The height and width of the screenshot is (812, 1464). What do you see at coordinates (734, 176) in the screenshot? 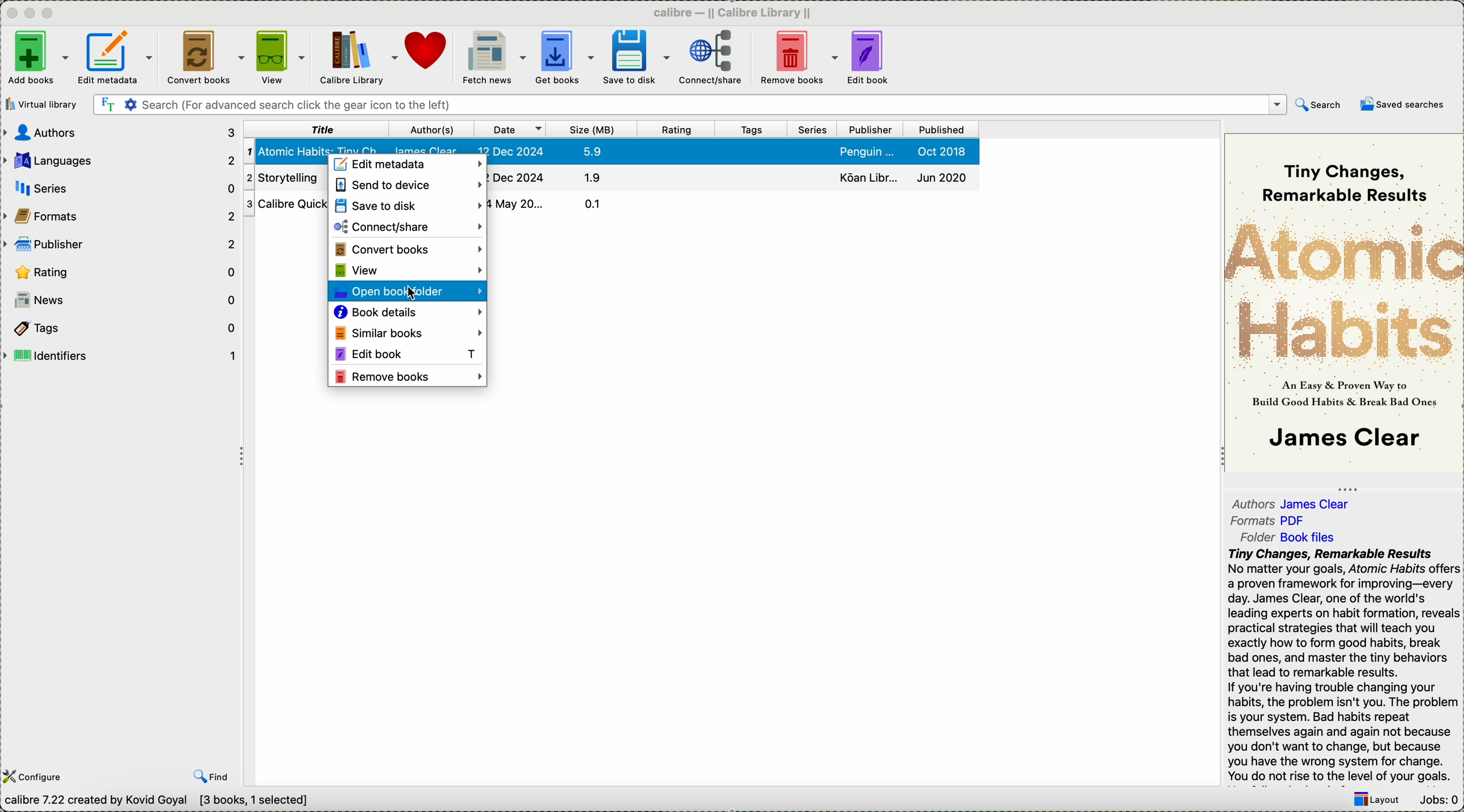
I see `details` at bounding box center [734, 176].